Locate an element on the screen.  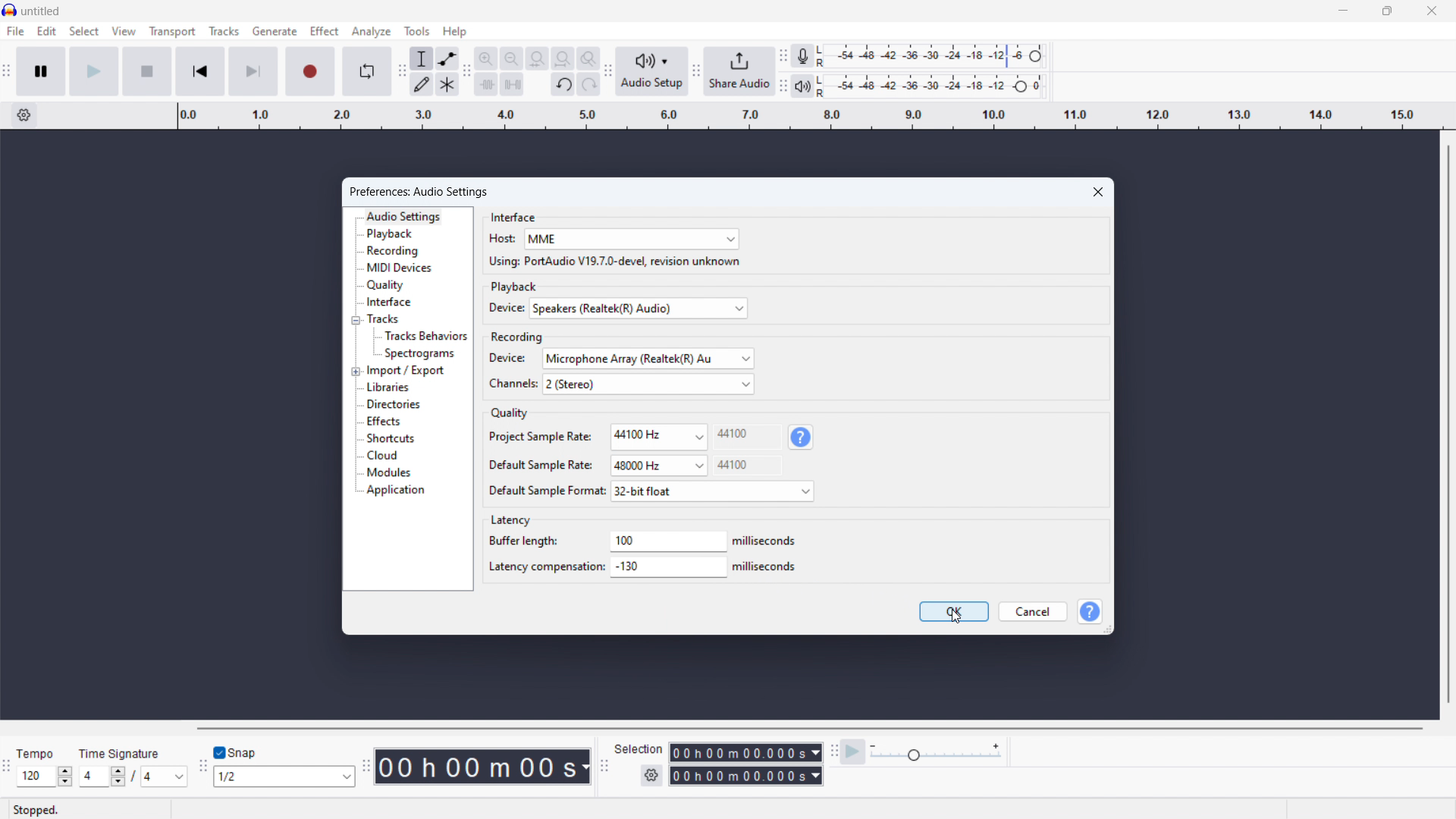
edit is located at coordinates (48, 32).